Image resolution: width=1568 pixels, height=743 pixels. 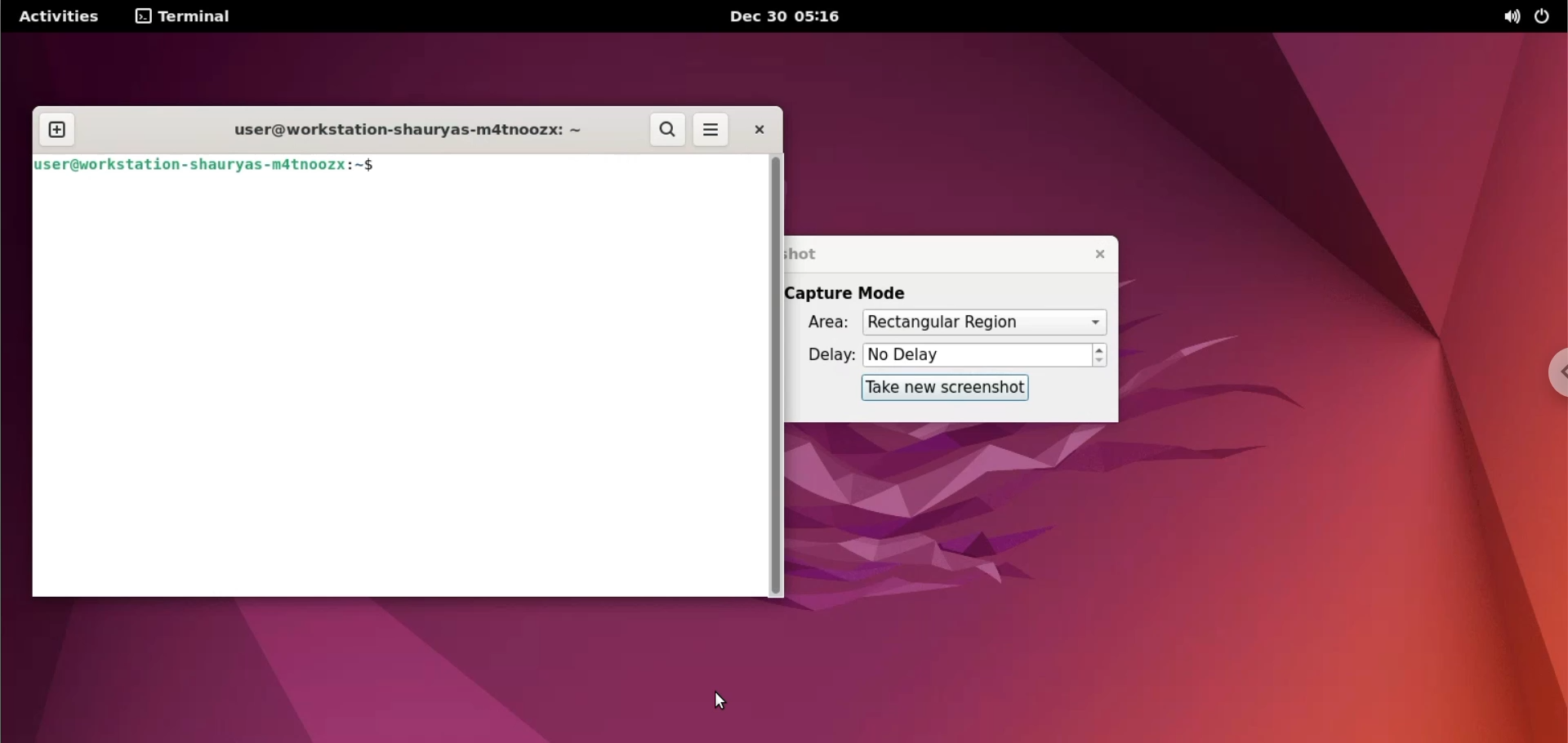 What do you see at coordinates (1095, 254) in the screenshot?
I see `close ` at bounding box center [1095, 254].